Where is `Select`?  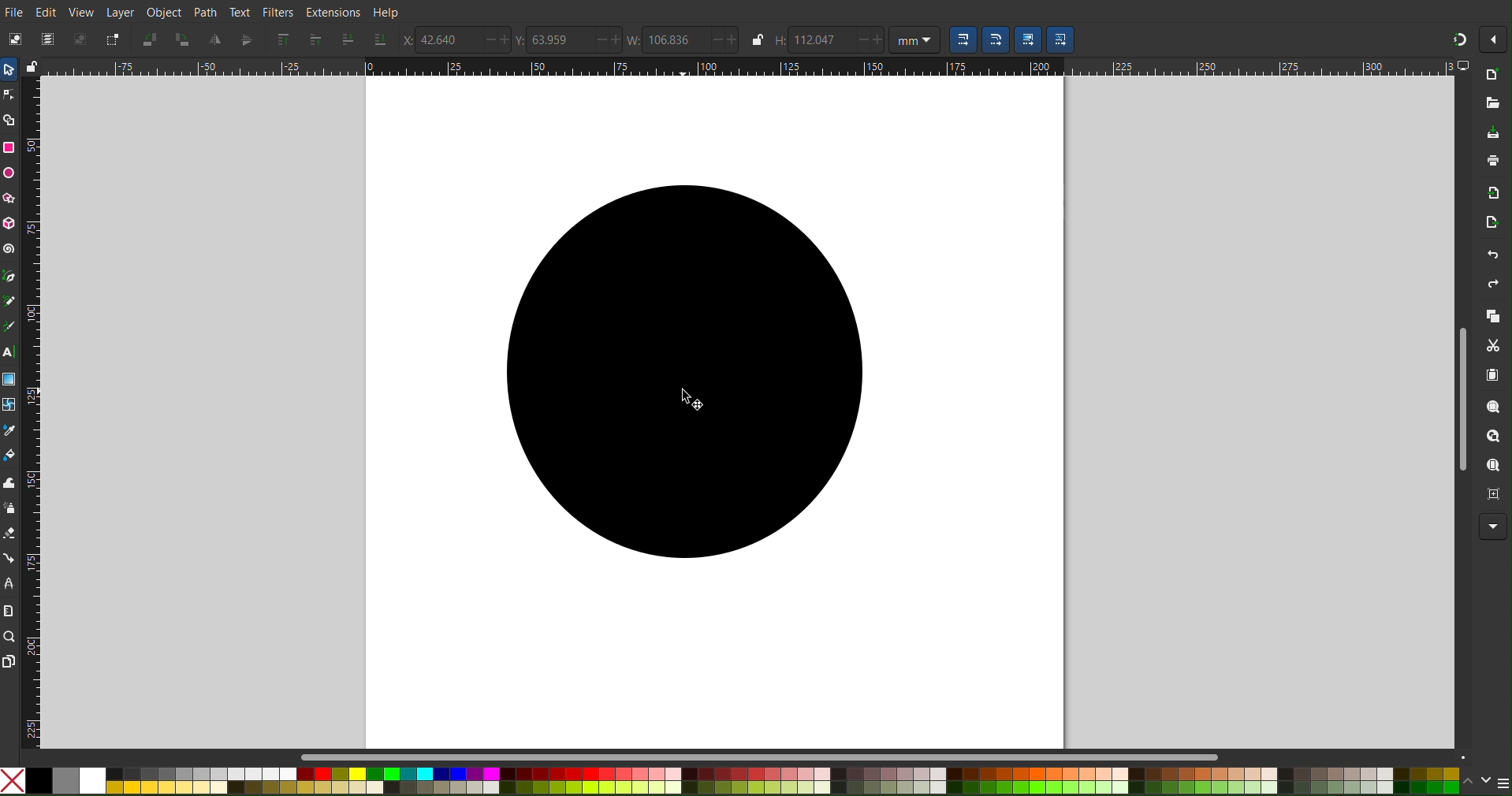 Select is located at coordinates (13, 39).